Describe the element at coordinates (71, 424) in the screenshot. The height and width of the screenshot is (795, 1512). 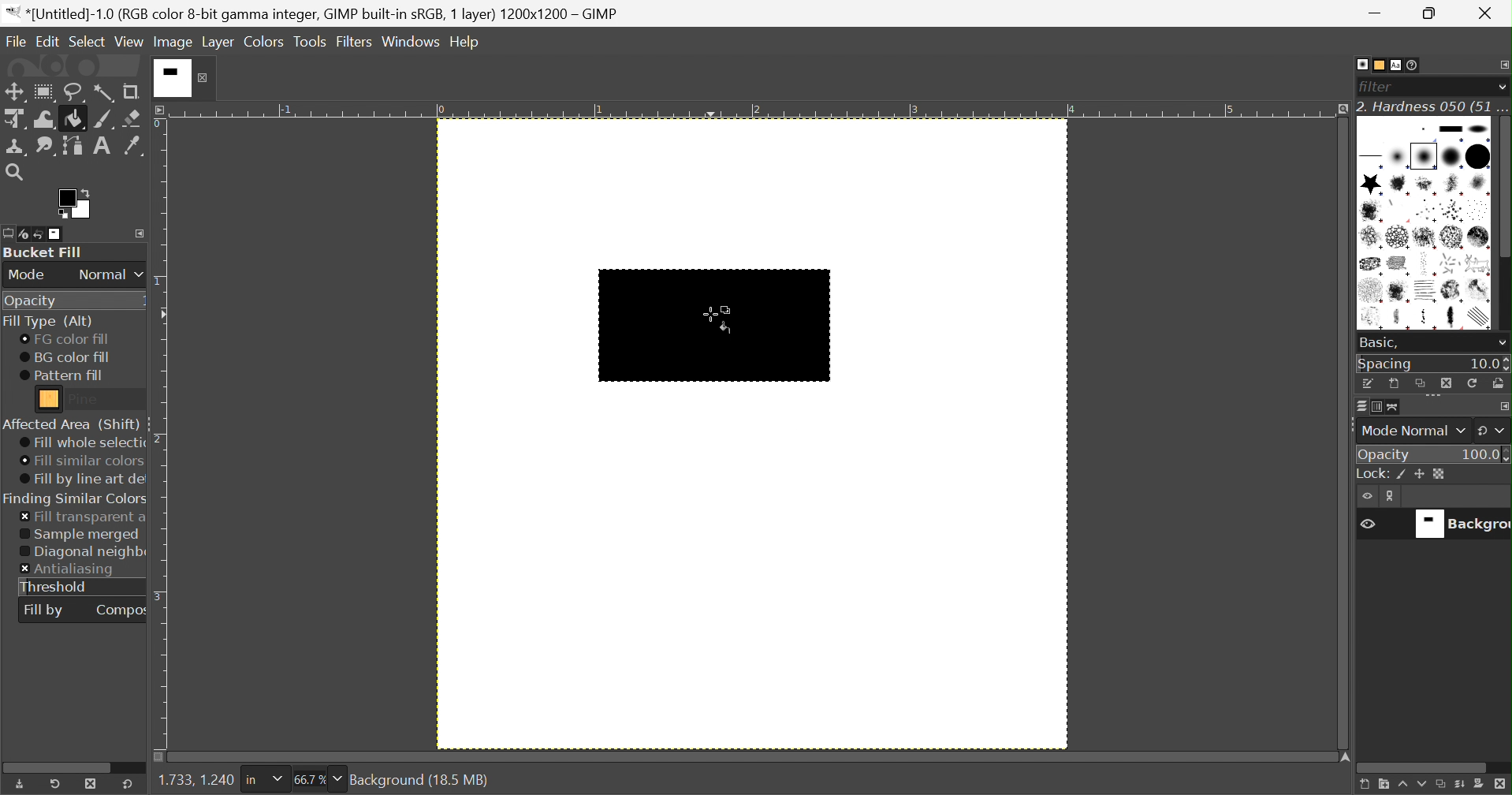
I see `Affected Area` at that location.